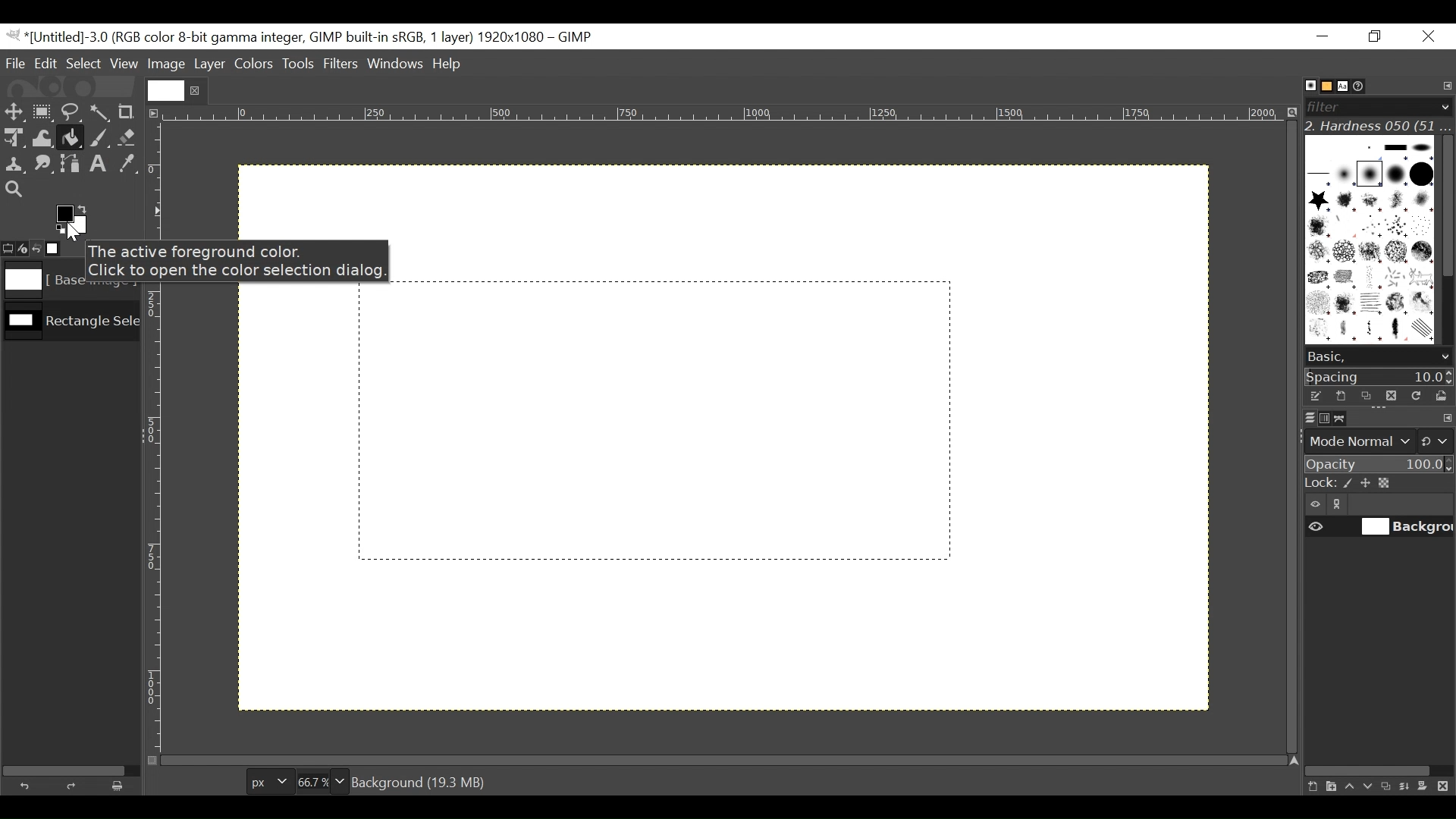 This screenshot has width=1456, height=819. What do you see at coordinates (1377, 465) in the screenshot?
I see `Opacity` at bounding box center [1377, 465].